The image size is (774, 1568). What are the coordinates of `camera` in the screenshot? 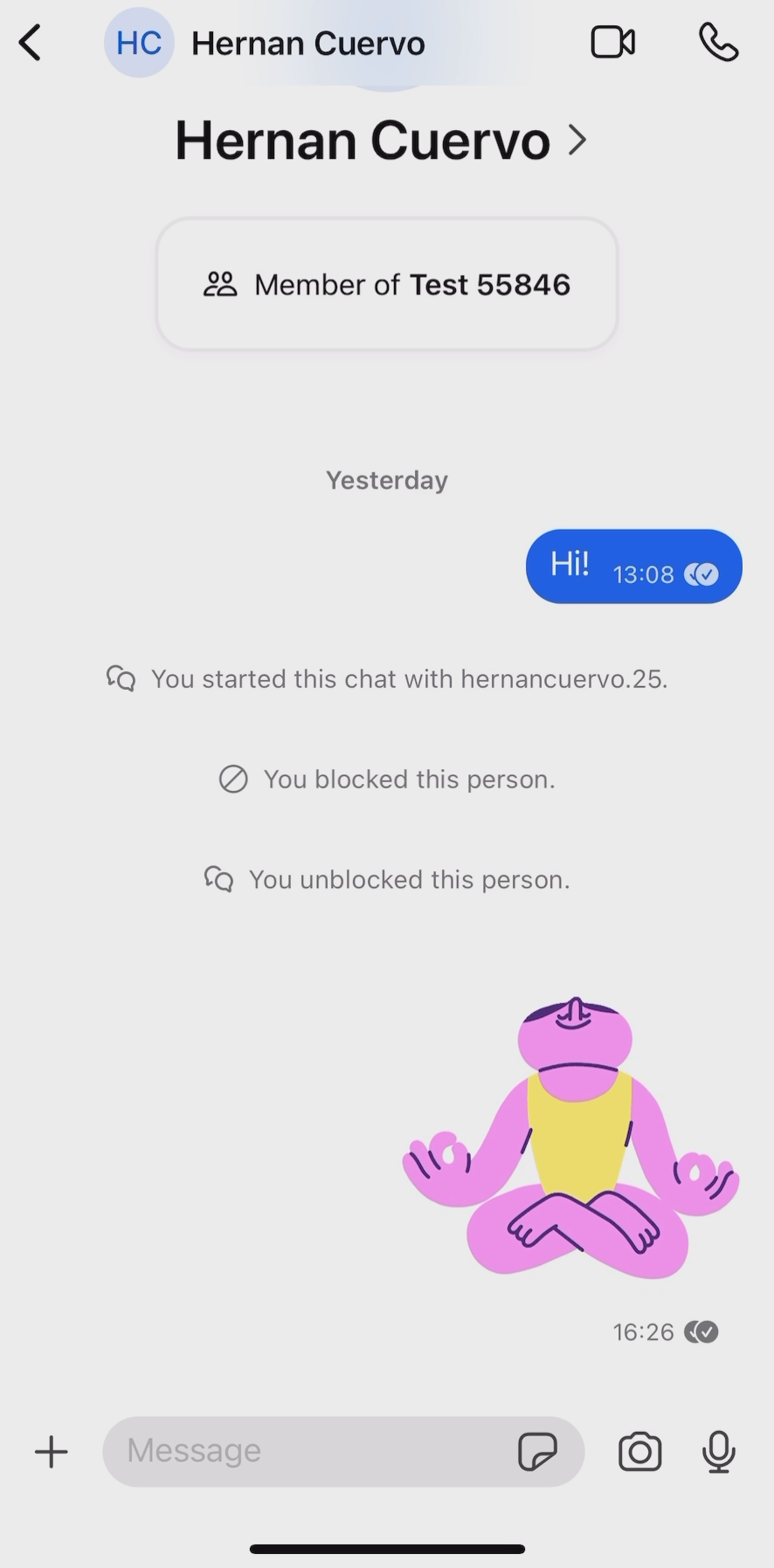 It's located at (639, 1447).